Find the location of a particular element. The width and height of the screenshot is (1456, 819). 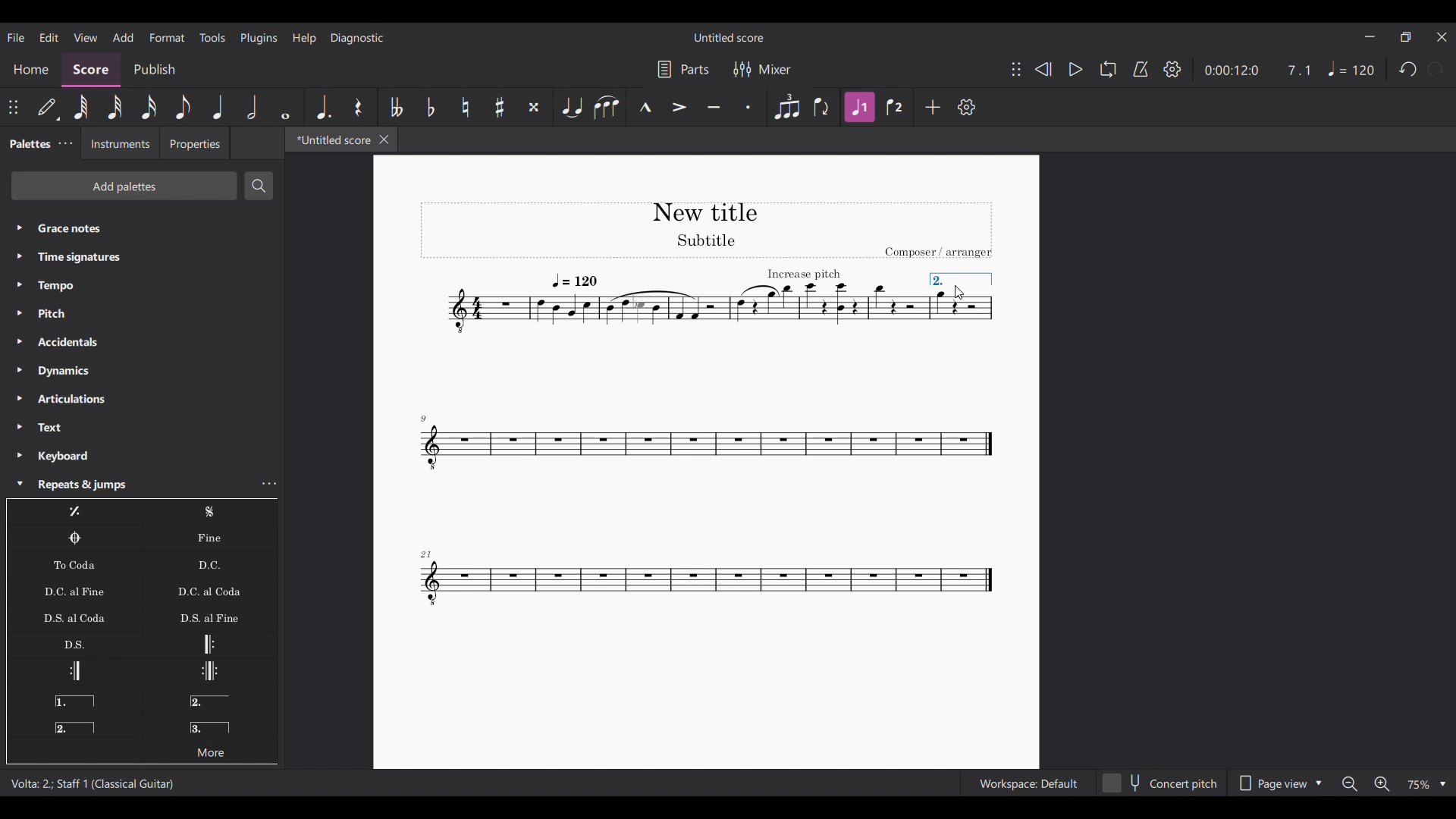

Settings is located at coordinates (967, 107).